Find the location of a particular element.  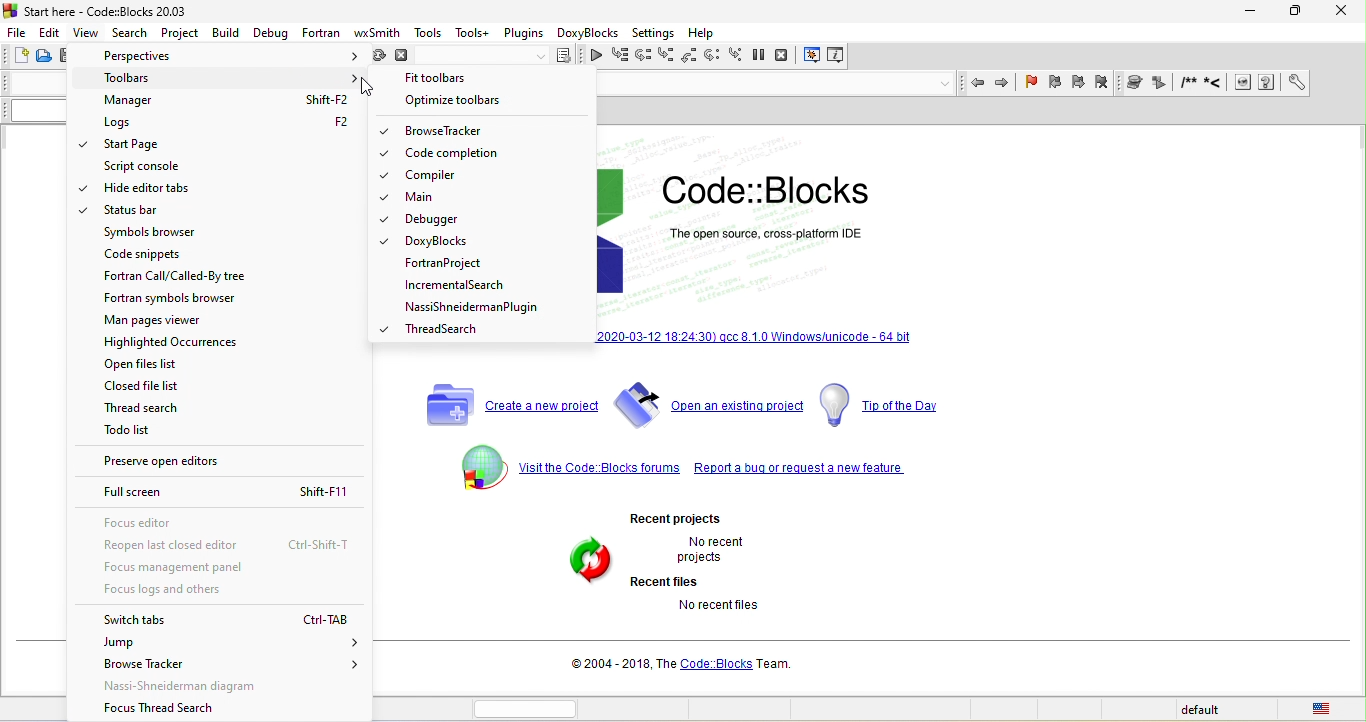

focus thread search is located at coordinates (191, 710).